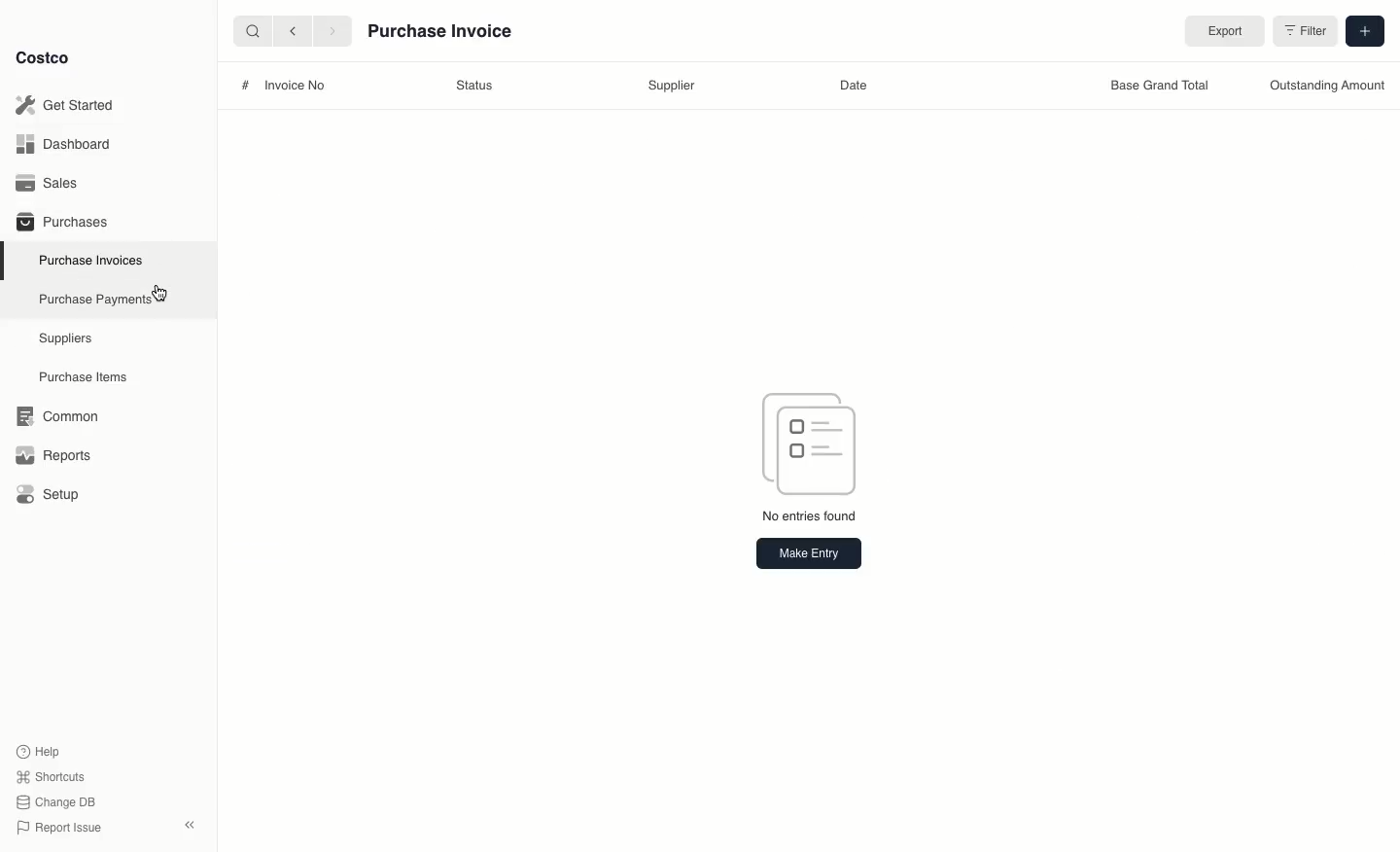 This screenshot has height=852, width=1400. Describe the element at coordinates (1155, 88) in the screenshot. I see `Base Grand Total` at that location.